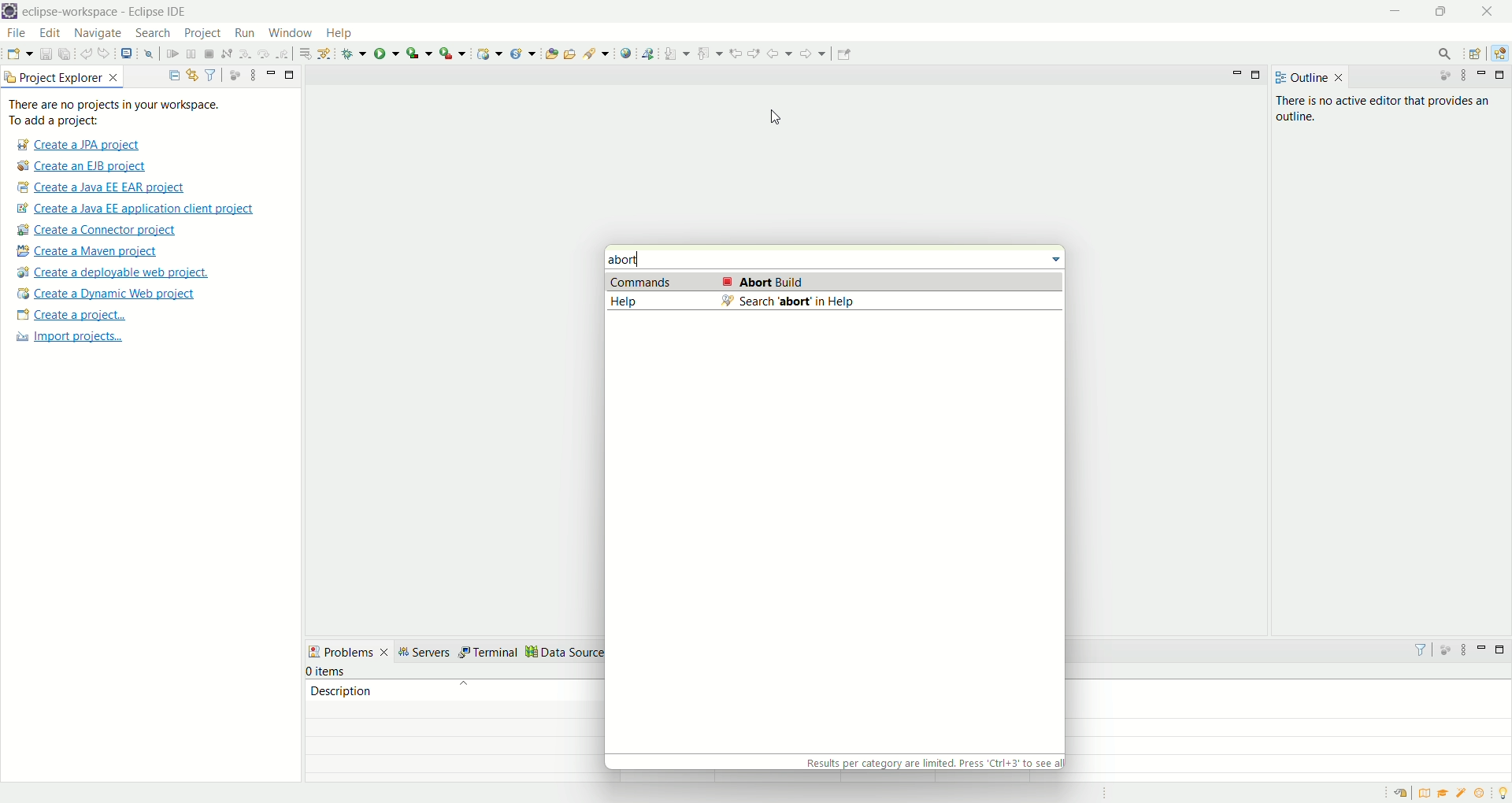 Image resolution: width=1512 pixels, height=803 pixels. I want to click on Java EE, so click(1500, 54).